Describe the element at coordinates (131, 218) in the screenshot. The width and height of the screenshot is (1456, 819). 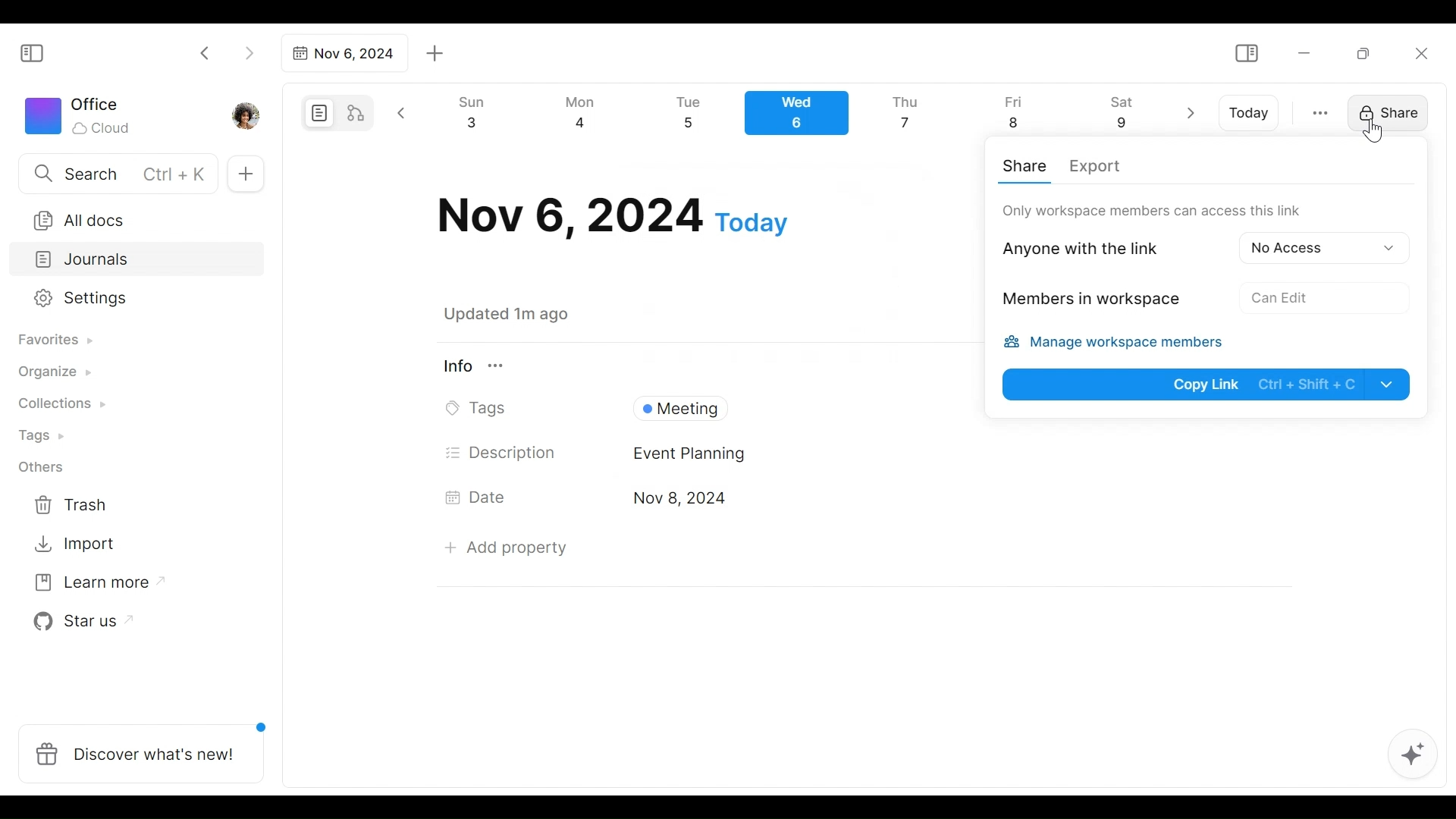
I see `All documents` at that location.